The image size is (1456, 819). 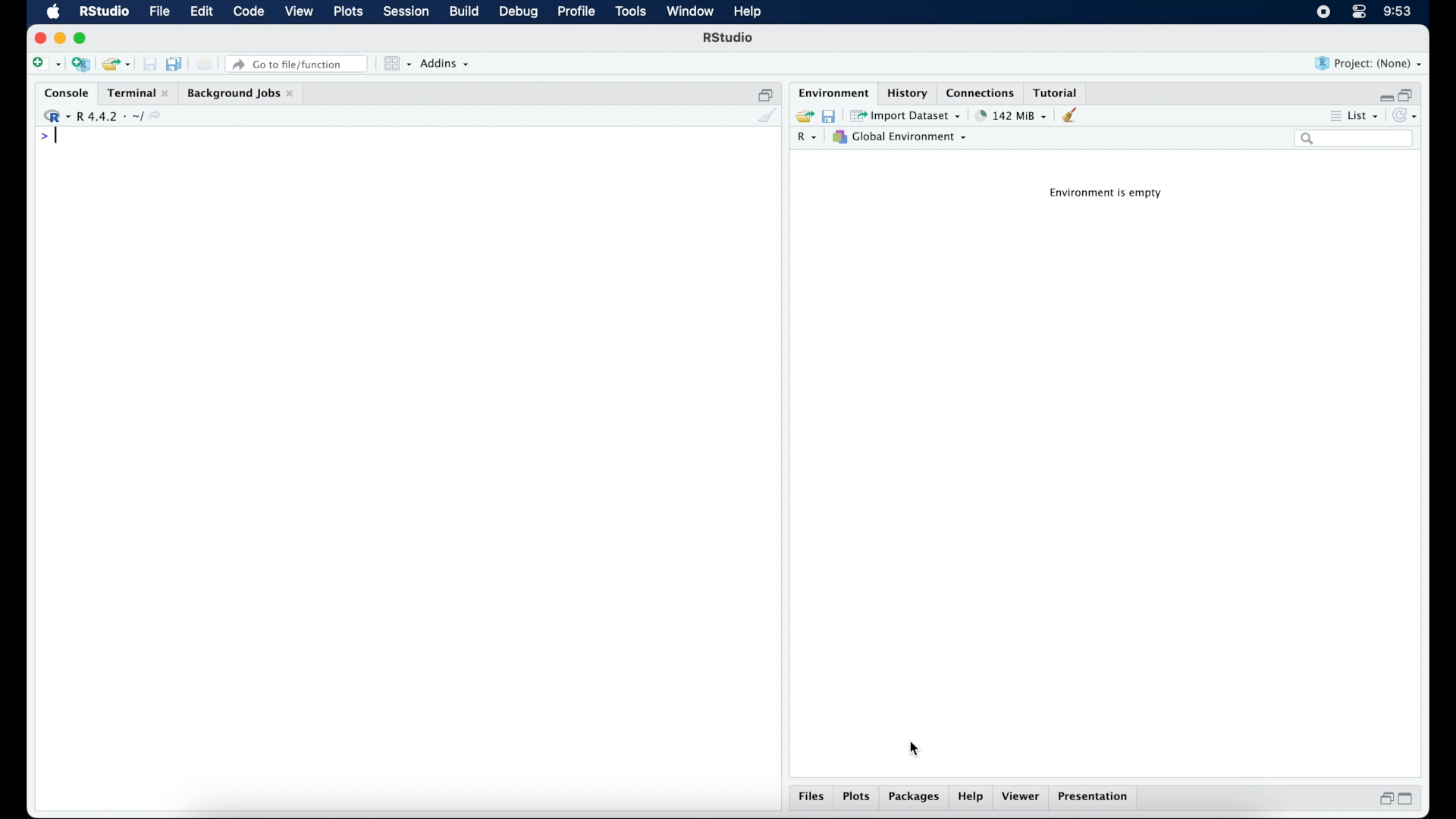 I want to click on load workspace, so click(x=802, y=114).